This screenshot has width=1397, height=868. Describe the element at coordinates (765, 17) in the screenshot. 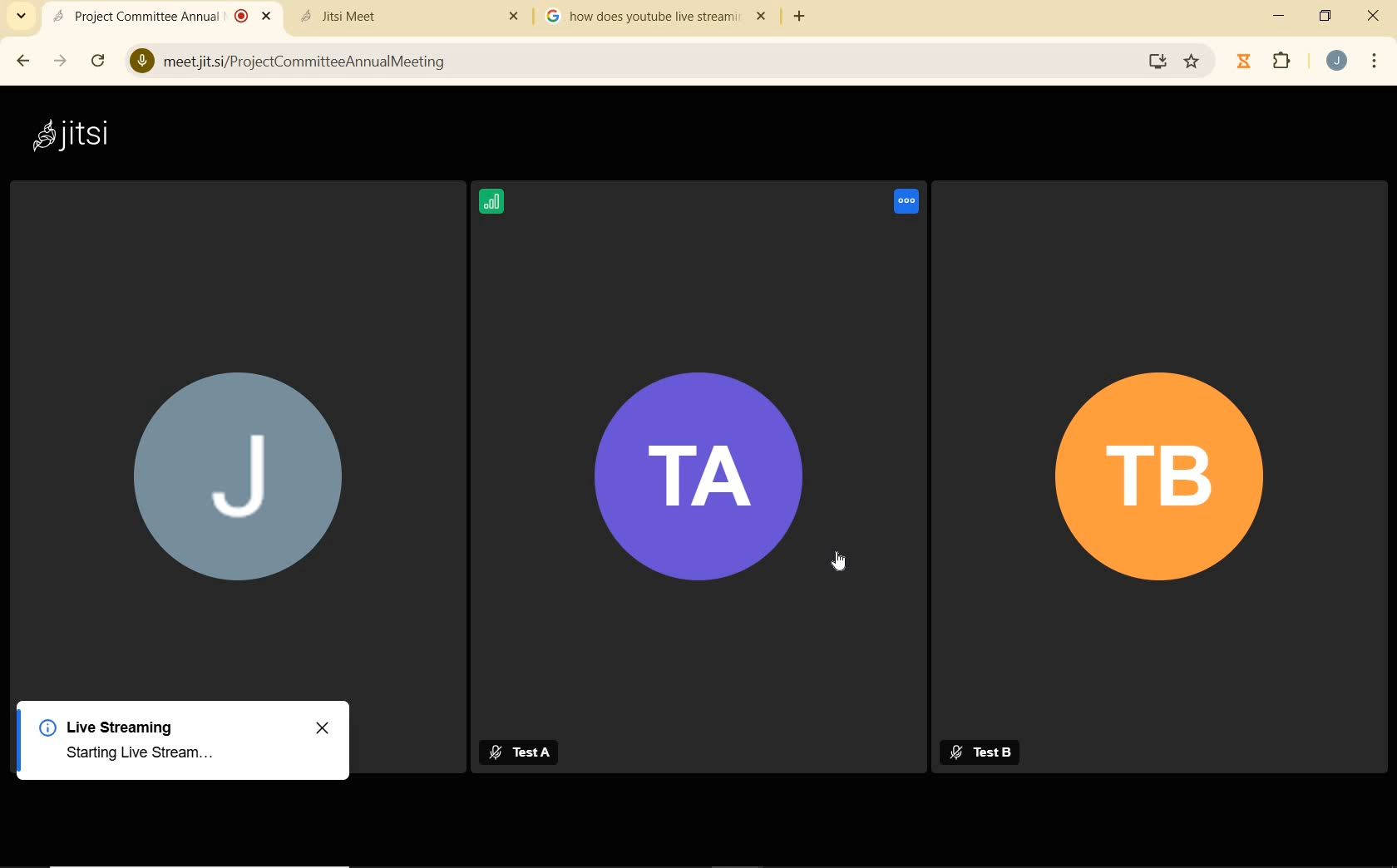

I see `close` at that location.